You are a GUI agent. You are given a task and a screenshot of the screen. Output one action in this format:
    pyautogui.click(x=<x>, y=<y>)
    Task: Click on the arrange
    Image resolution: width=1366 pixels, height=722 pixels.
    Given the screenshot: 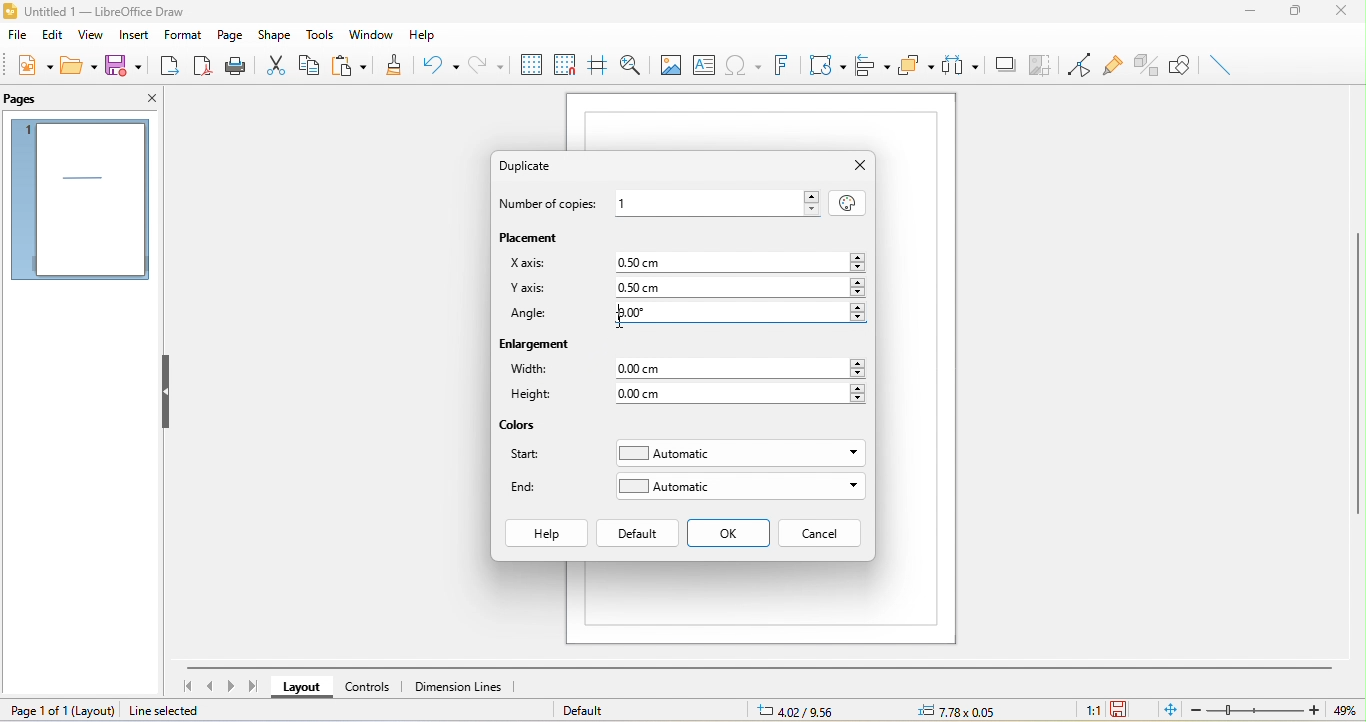 What is the action you would take?
    pyautogui.click(x=917, y=67)
    